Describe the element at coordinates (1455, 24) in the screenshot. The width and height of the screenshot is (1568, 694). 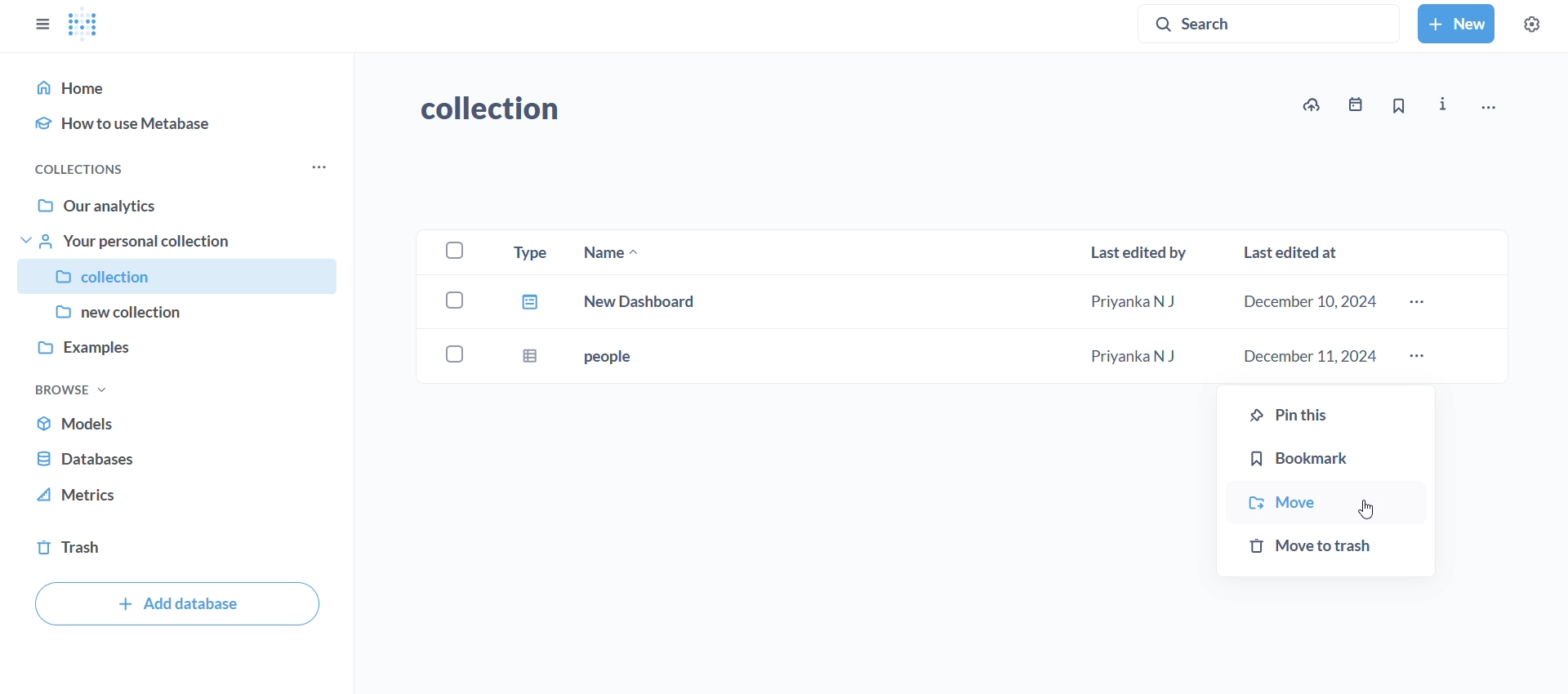
I see `new` at that location.